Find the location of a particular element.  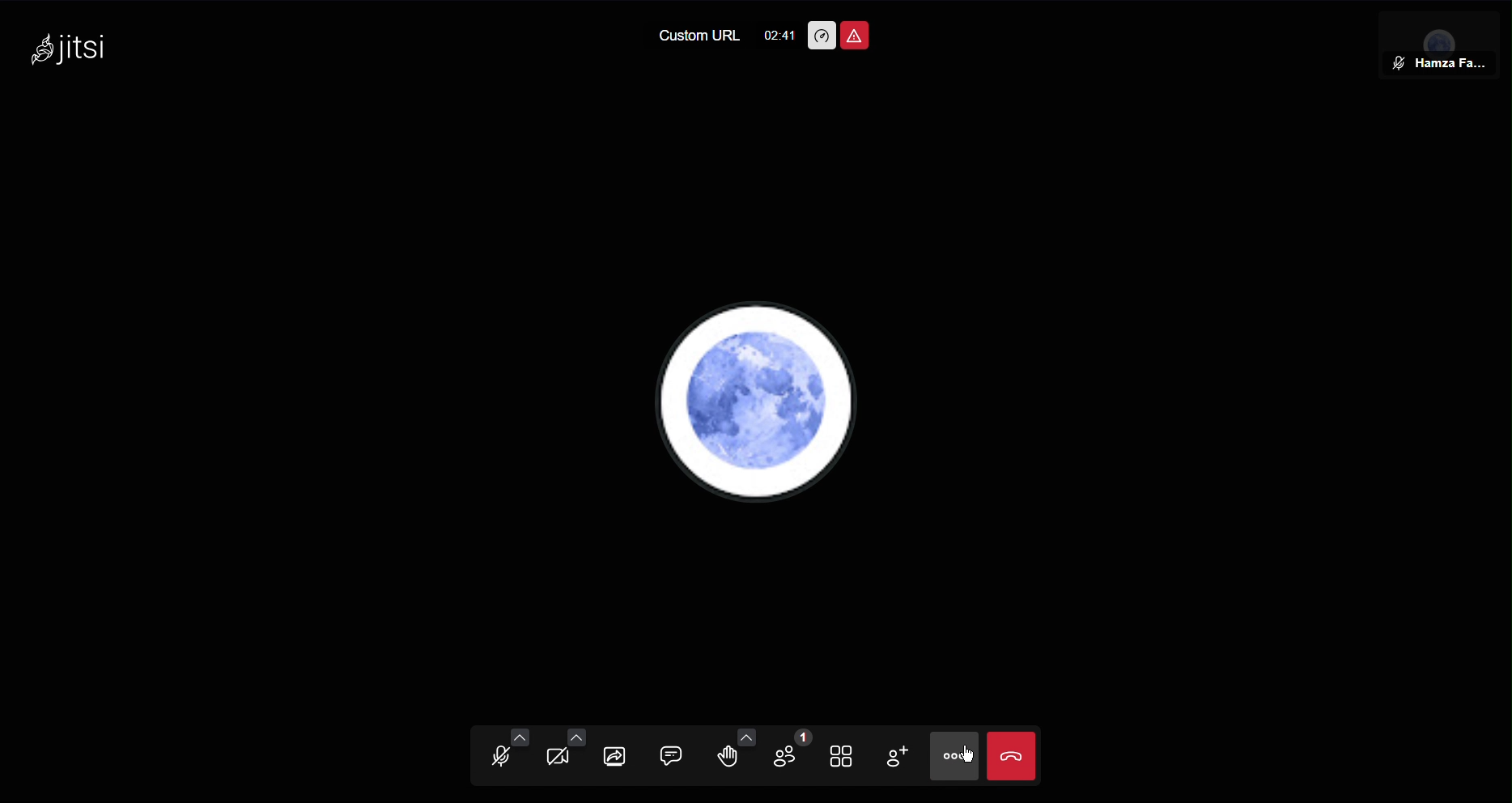

Account Profile picture is located at coordinates (752, 400).